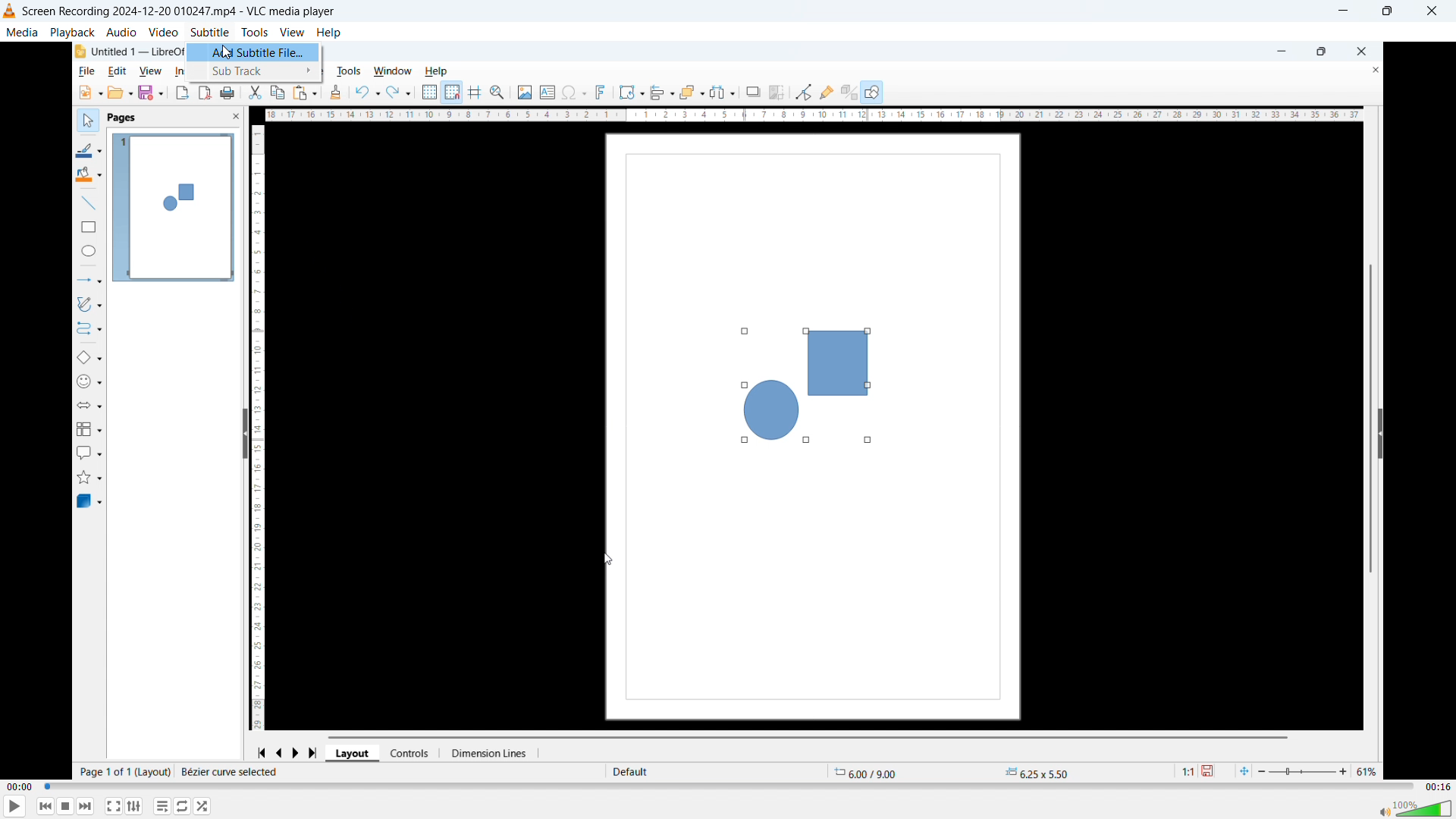 The width and height of the screenshot is (1456, 819). Describe the element at coordinates (1385, 11) in the screenshot. I see `Maximize ` at that location.